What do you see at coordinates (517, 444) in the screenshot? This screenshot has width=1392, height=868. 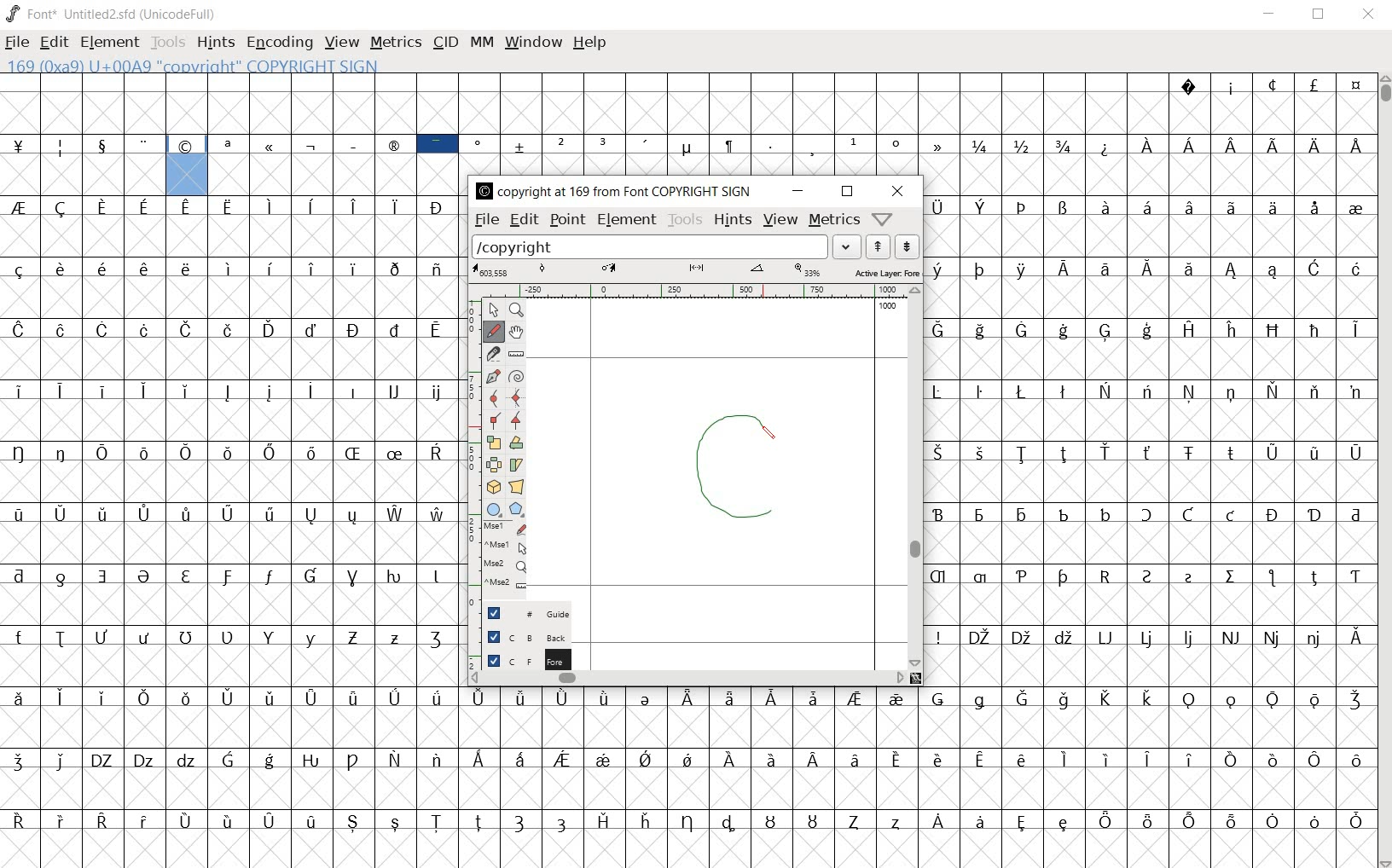 I see `Rotate the selection` at bounding box center [517, 444].